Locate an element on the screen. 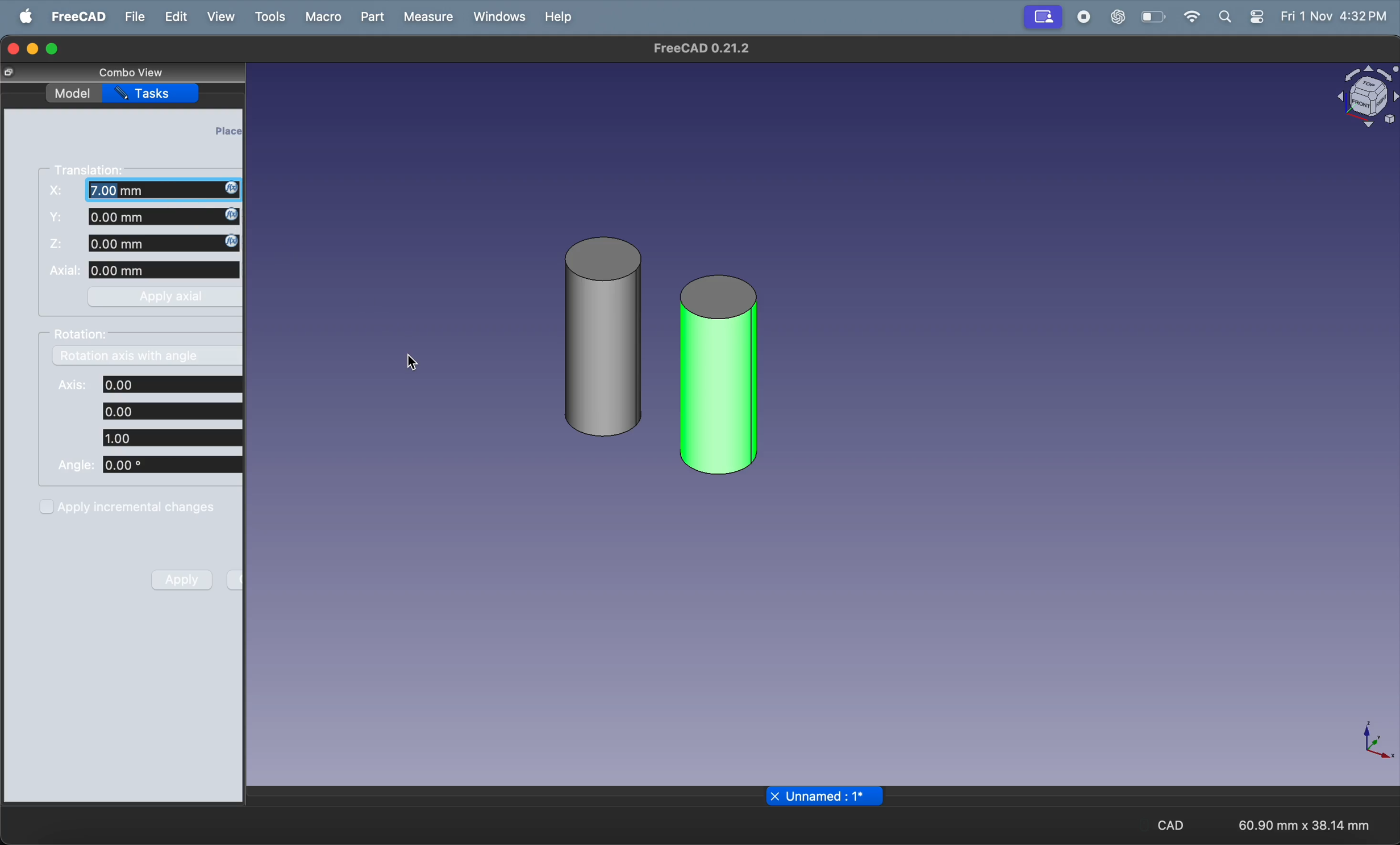 This screenshot has width=1400, height=845. battery is located at coordinates (1152, 18).